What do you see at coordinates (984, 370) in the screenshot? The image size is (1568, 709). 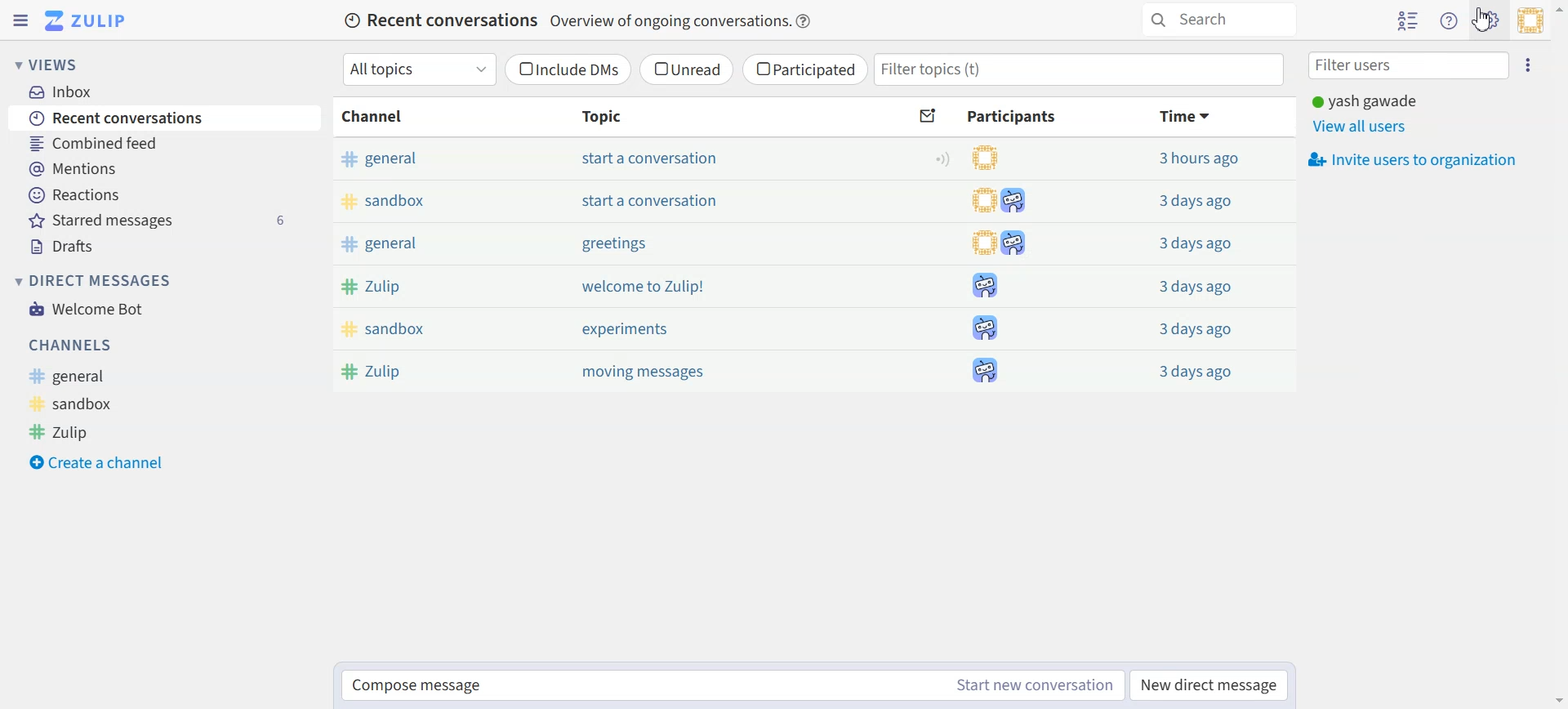 I see `participants` at bounding box center [984, 370].